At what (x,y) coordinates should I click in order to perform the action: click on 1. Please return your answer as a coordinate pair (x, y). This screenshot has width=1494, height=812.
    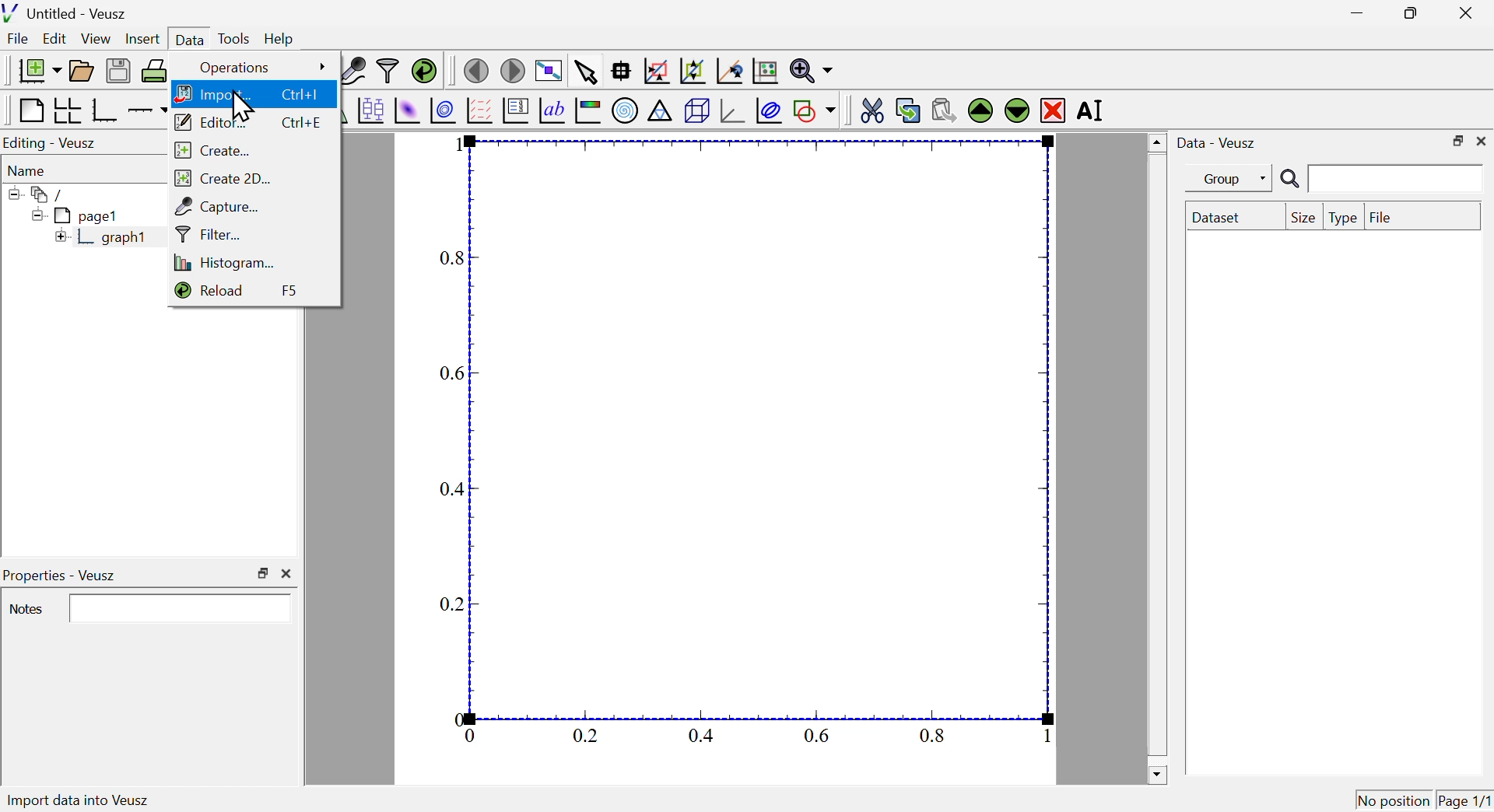
    Looking at the image, I should click on (1047, 737).